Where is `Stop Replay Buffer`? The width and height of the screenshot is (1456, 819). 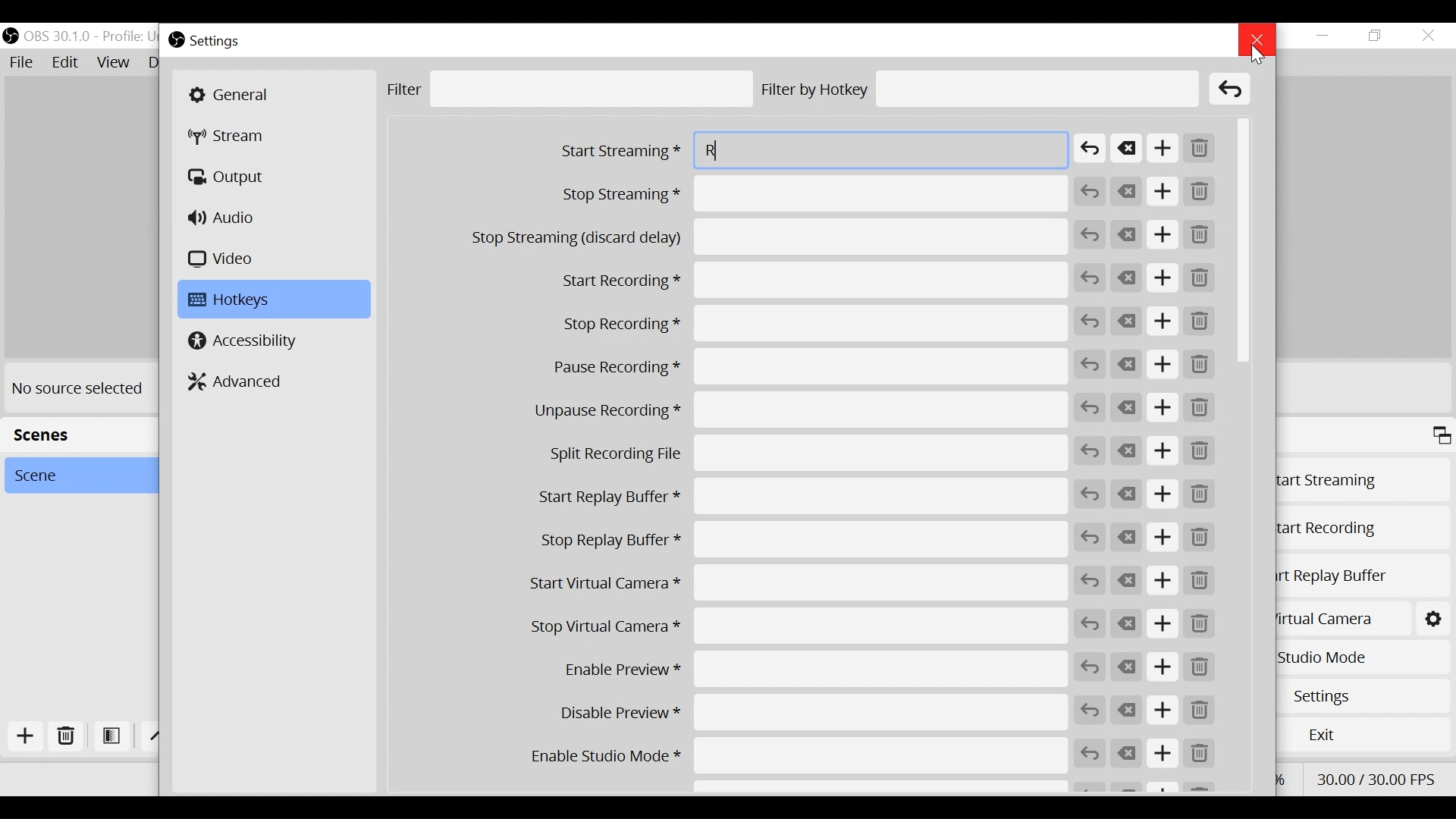
Stop Replay Buffer is located at coordinates (799, 540).